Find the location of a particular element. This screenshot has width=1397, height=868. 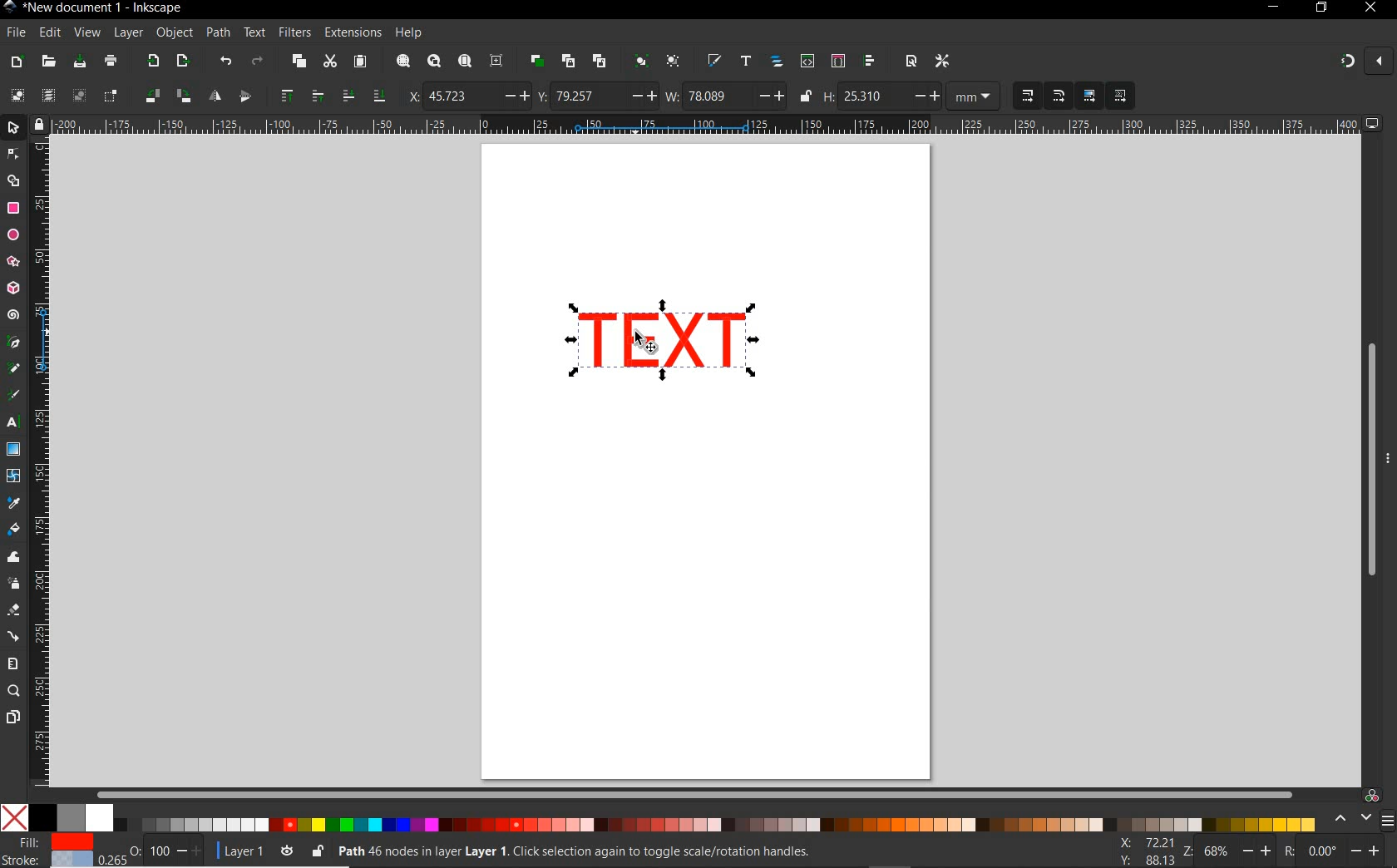

NOTHING SELECTED is located at coordinates (166, 854).